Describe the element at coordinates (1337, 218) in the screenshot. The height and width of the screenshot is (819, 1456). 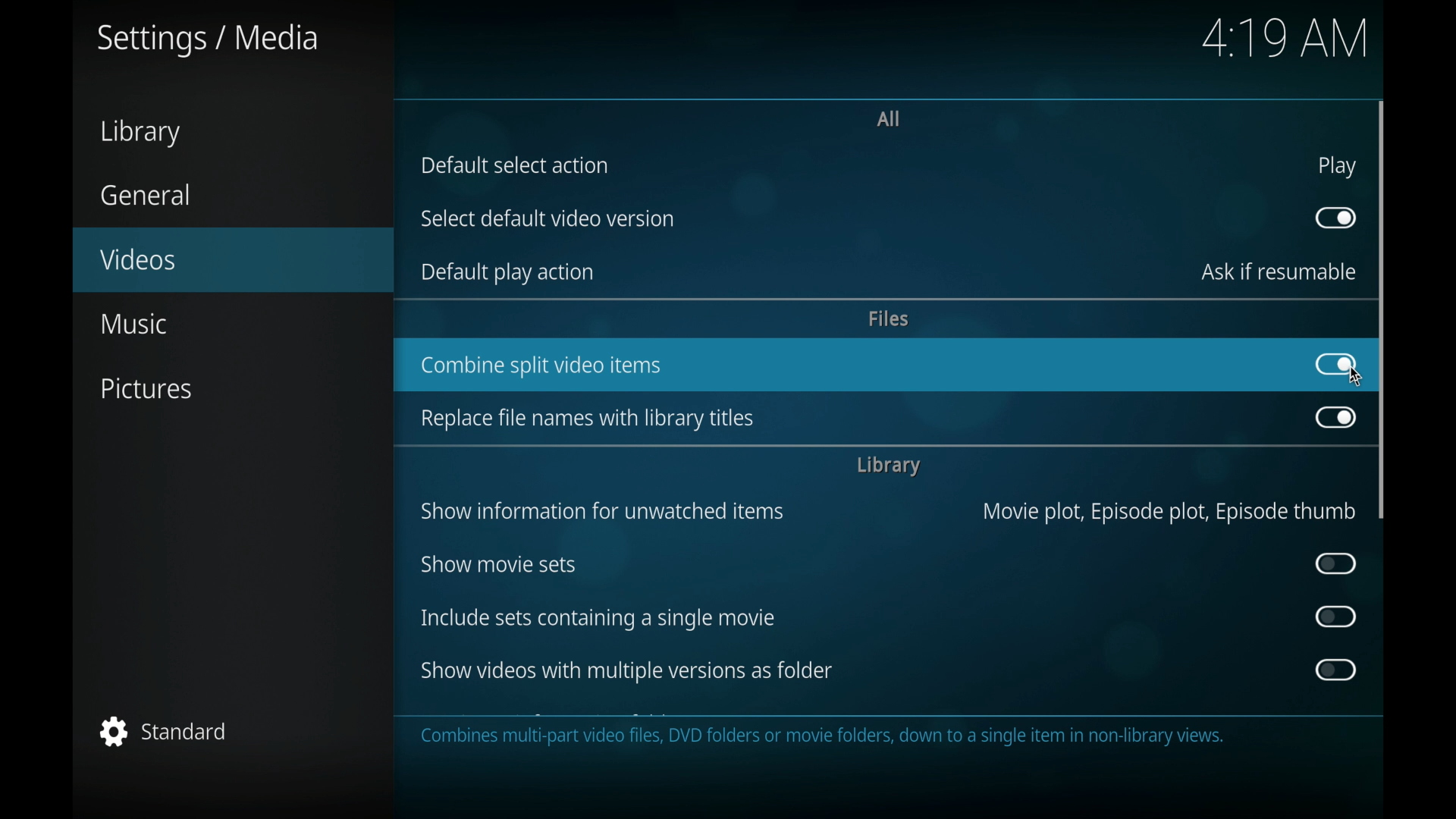
I see `toggle button` at that location.